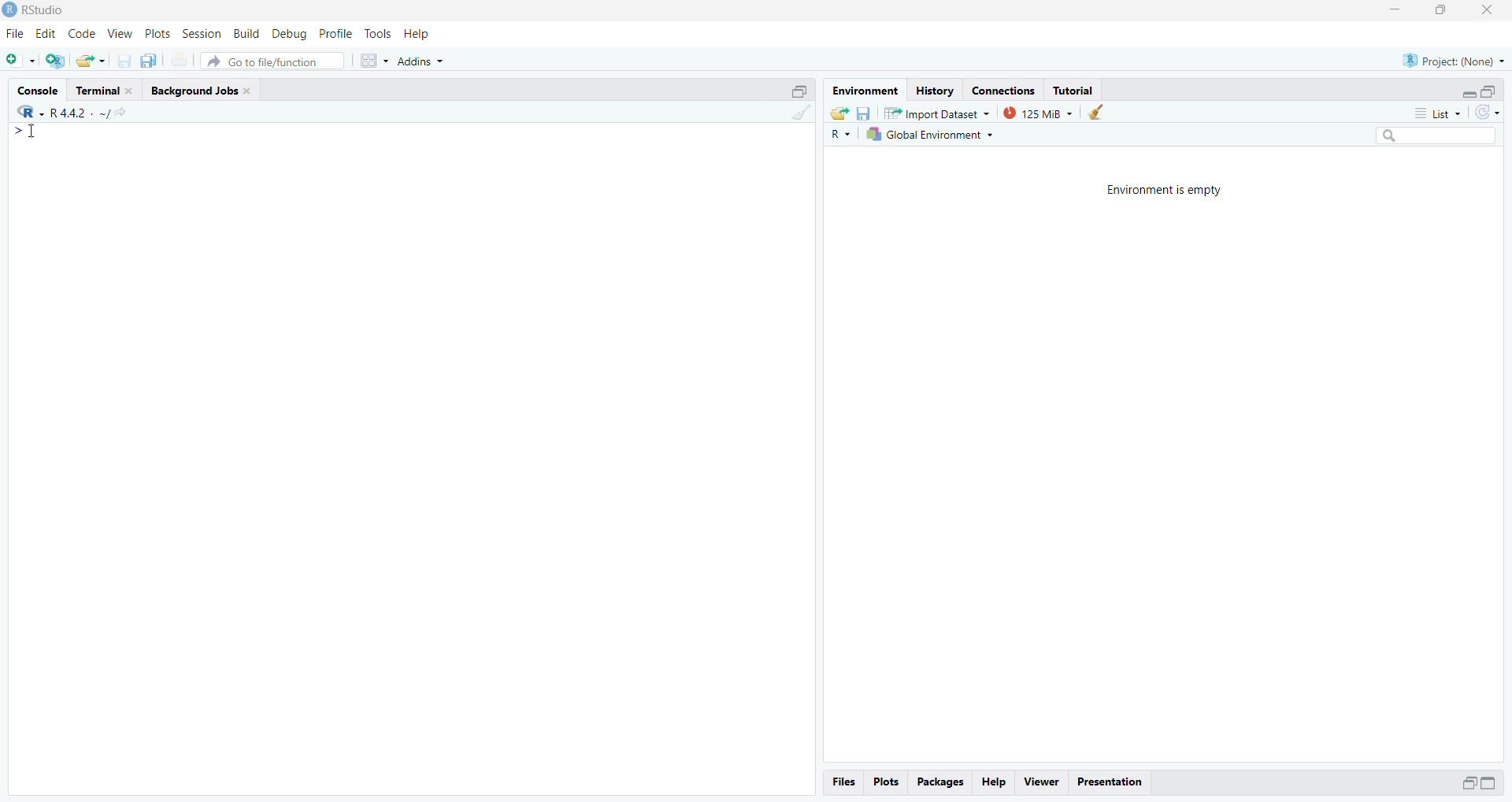 The image size is (1512, 802). Describe the element at coordinates (180, 60) in the screenshot. I see `print` at that location.